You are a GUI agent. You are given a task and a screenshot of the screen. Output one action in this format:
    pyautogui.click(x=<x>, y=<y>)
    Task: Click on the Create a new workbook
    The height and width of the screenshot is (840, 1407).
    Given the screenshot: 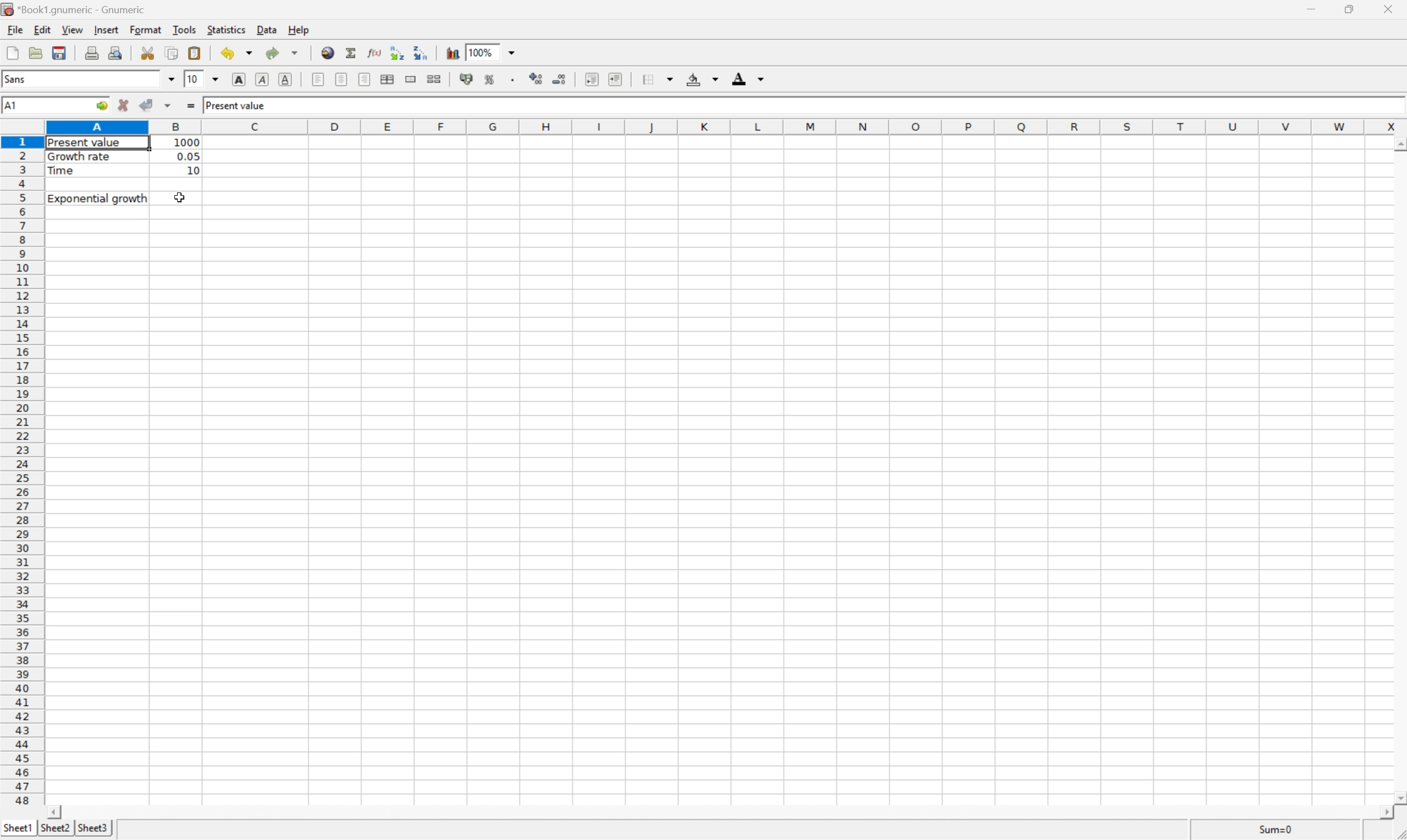 What is the action you would take?
    pyautogui.click(x=13, y=53)
    